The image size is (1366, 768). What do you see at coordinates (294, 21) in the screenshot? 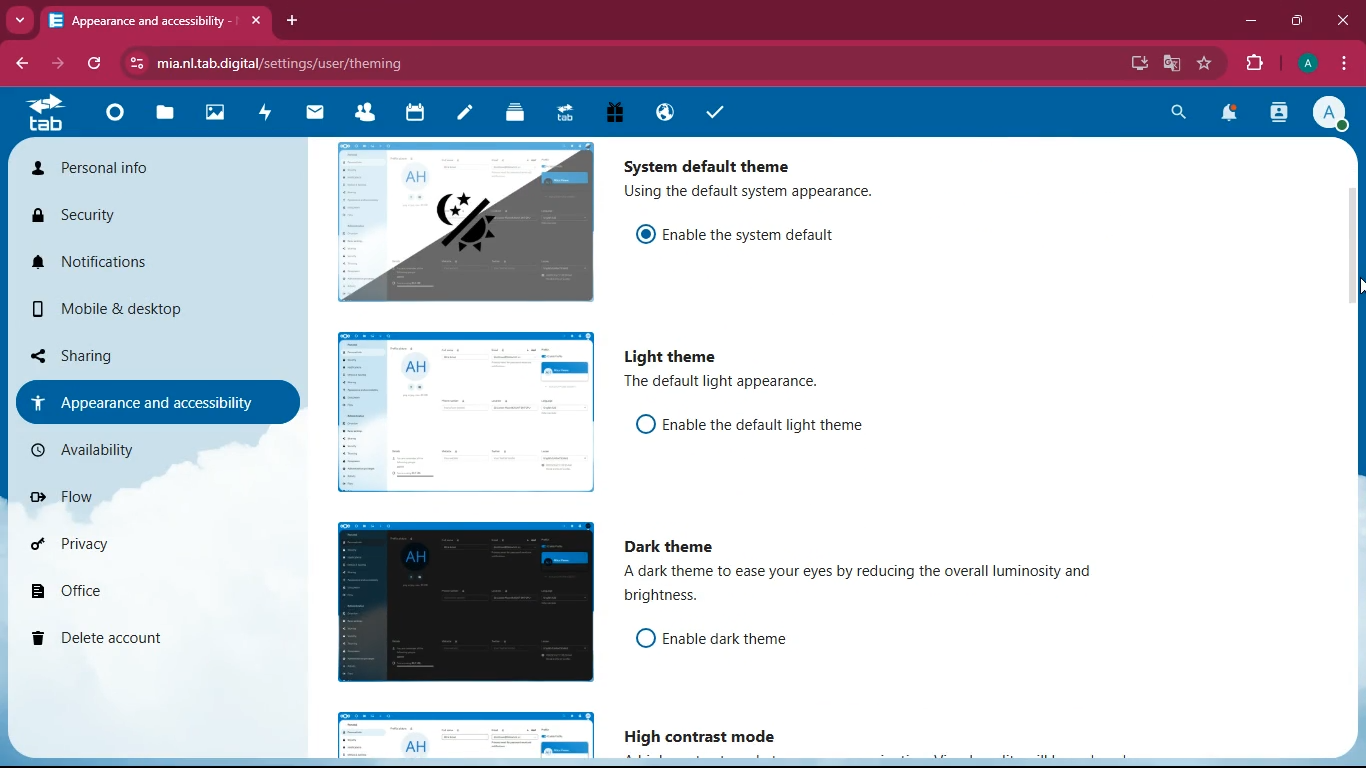
I see `add tab` at bounding box center [294, 21].